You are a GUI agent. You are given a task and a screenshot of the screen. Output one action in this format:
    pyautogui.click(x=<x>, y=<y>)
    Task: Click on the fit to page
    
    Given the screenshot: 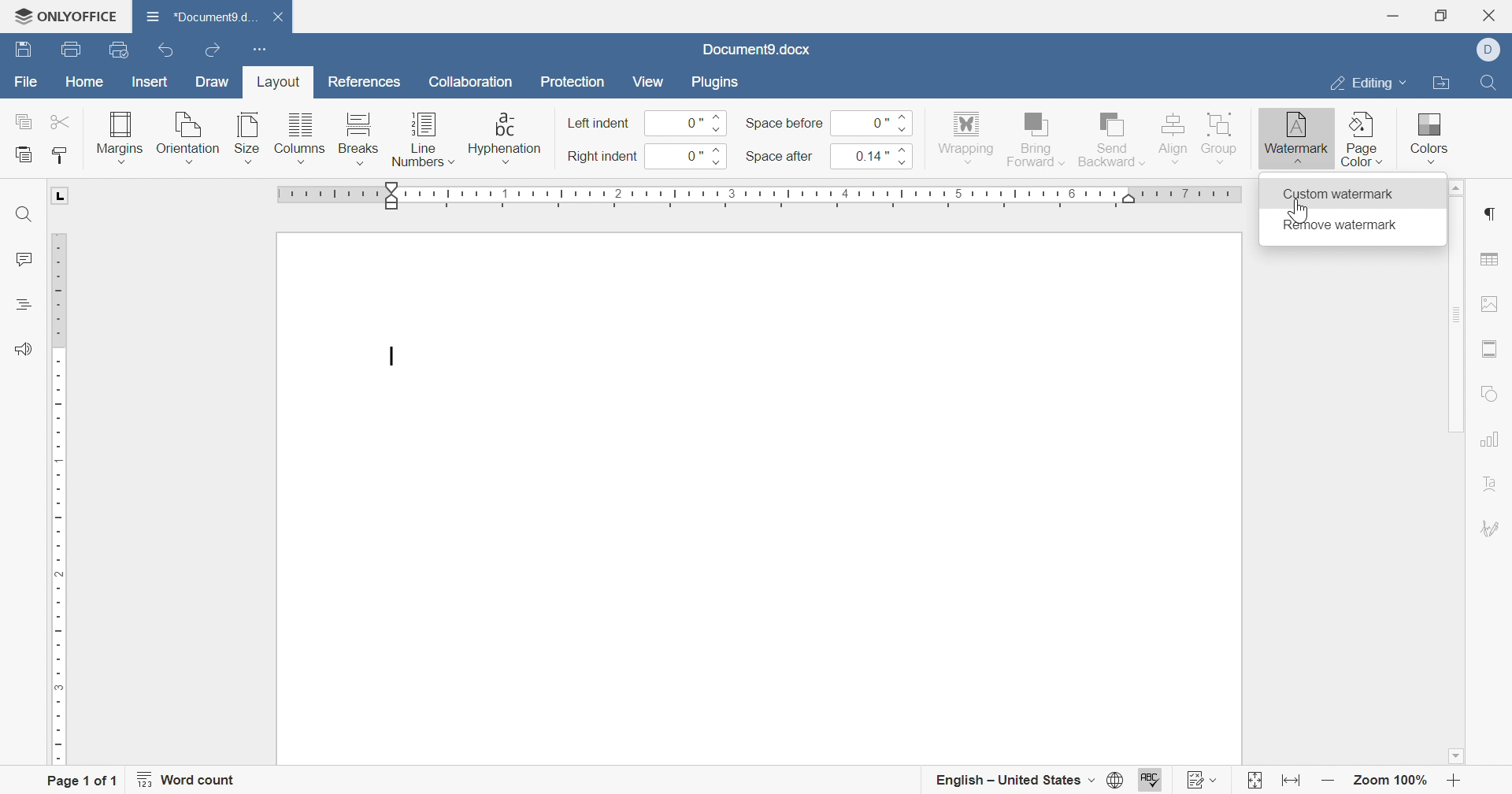 What is the action you would take?
    pyautogui.click(x=1253, y=783)
    